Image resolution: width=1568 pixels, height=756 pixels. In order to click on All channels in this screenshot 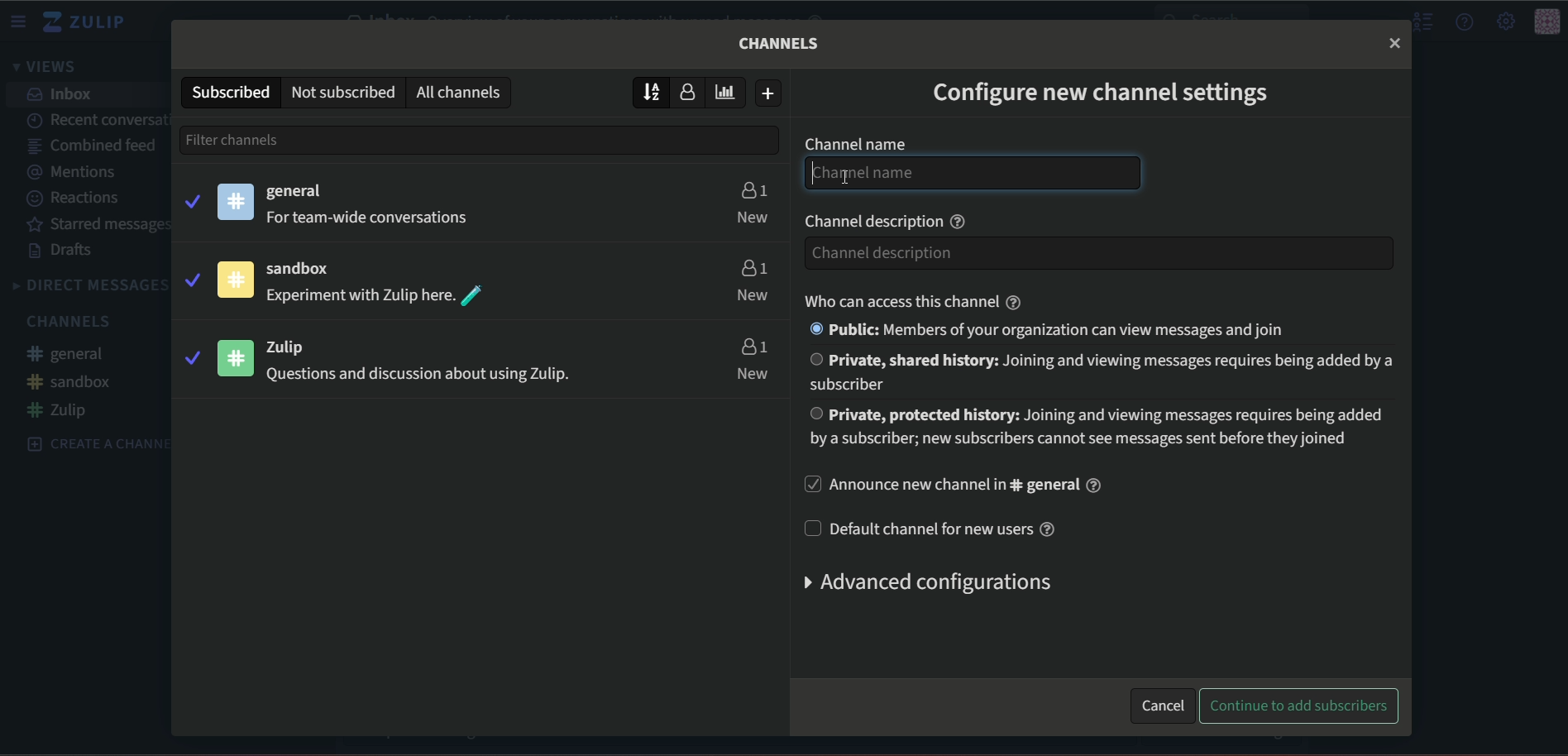, I will do `click(462, 92)`.